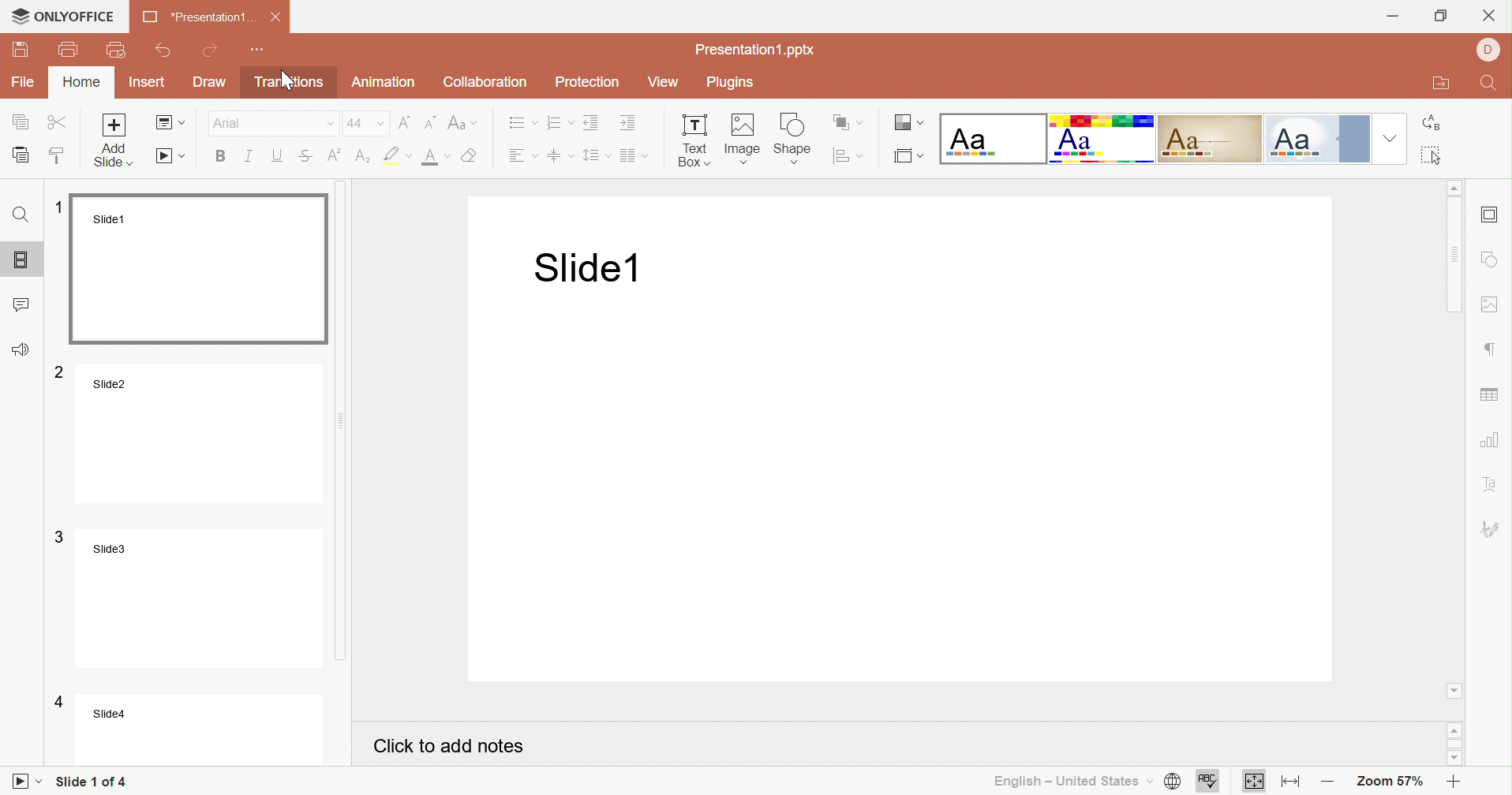  I want to click on View, so click(664, 83).